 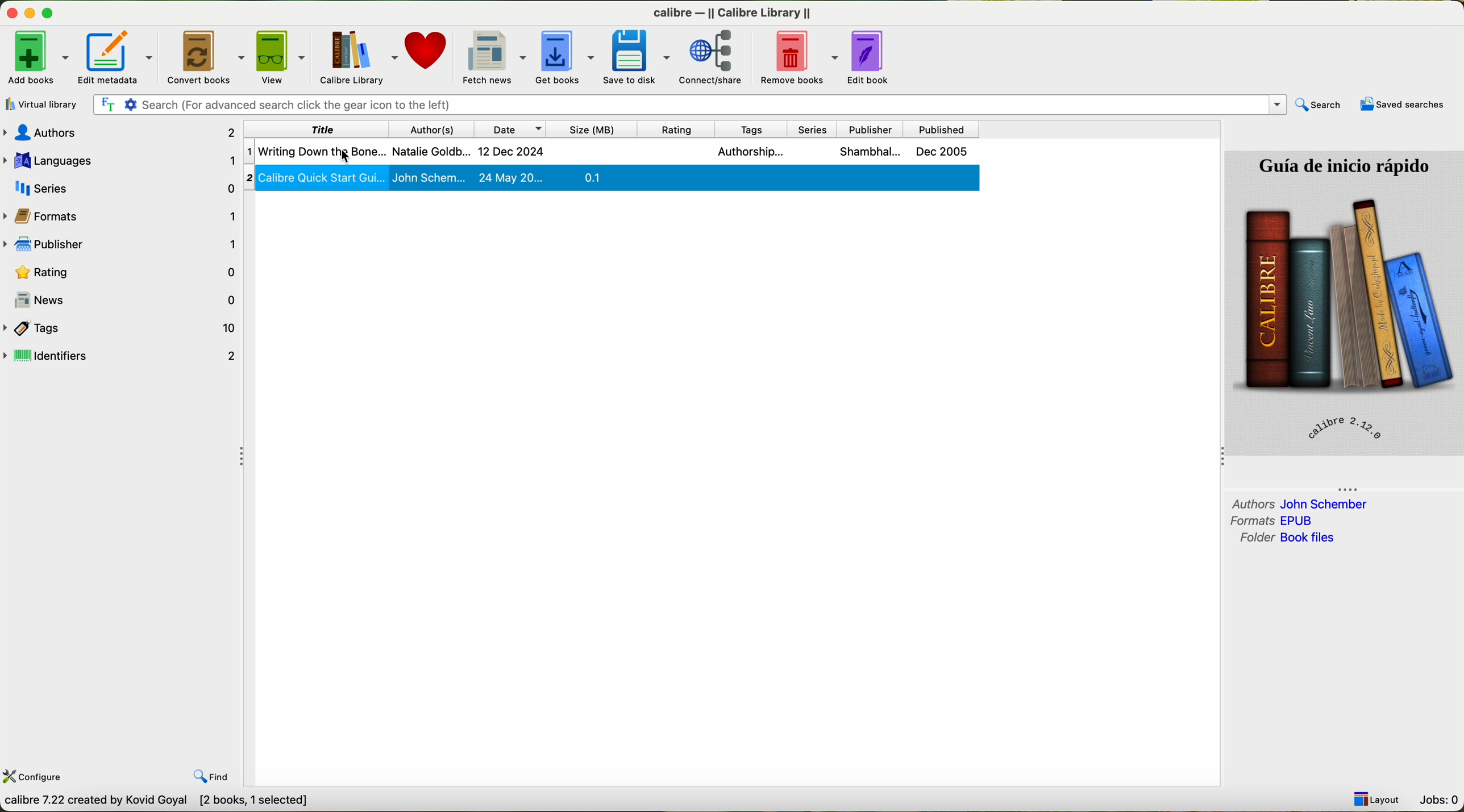 I want to click on donate, so click(x=427, y=50).